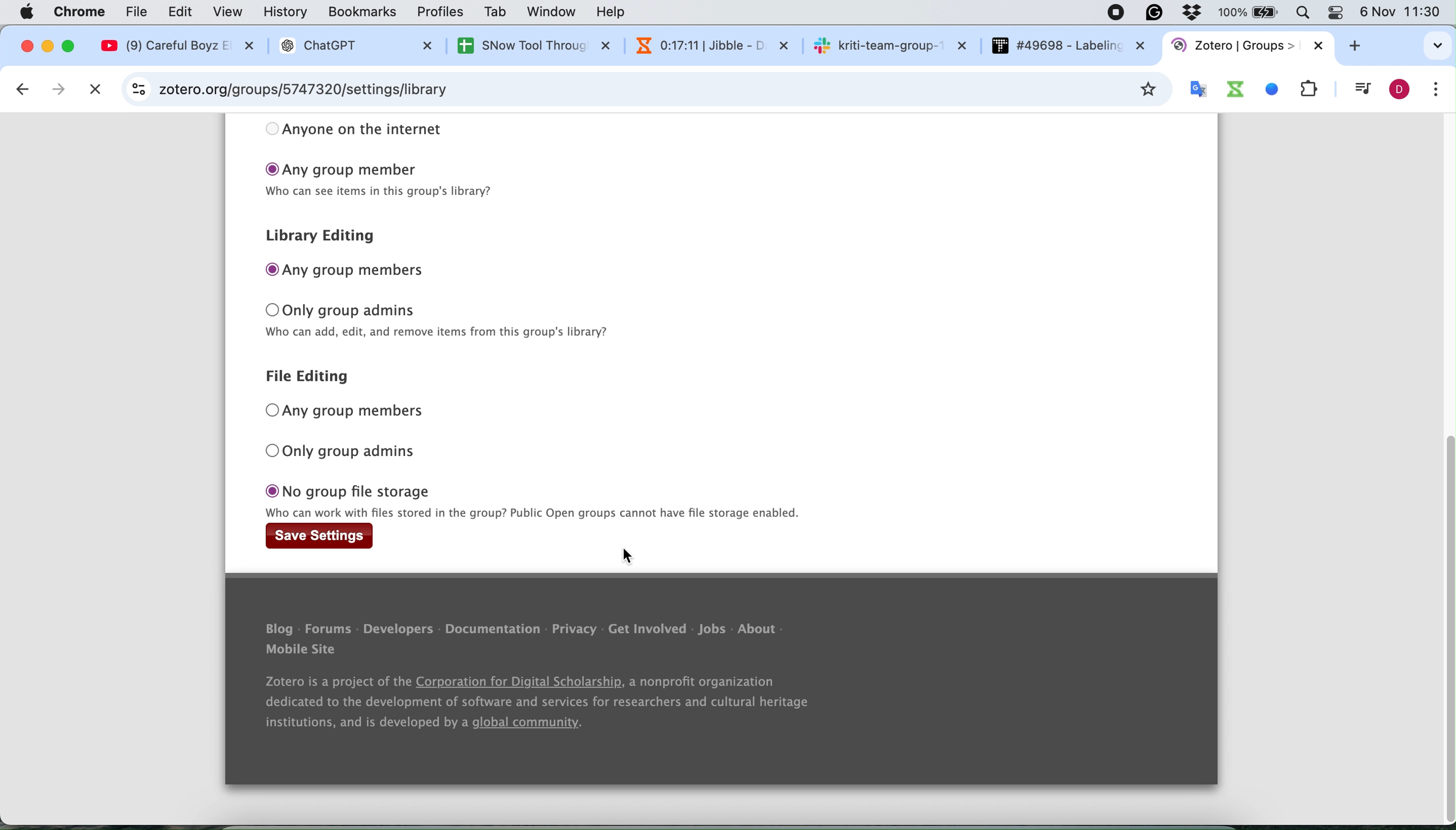  What do you see at coordinates (1197, 11) in the screenshot?
I see `Antivirus` at bounding box center [1197, 11].